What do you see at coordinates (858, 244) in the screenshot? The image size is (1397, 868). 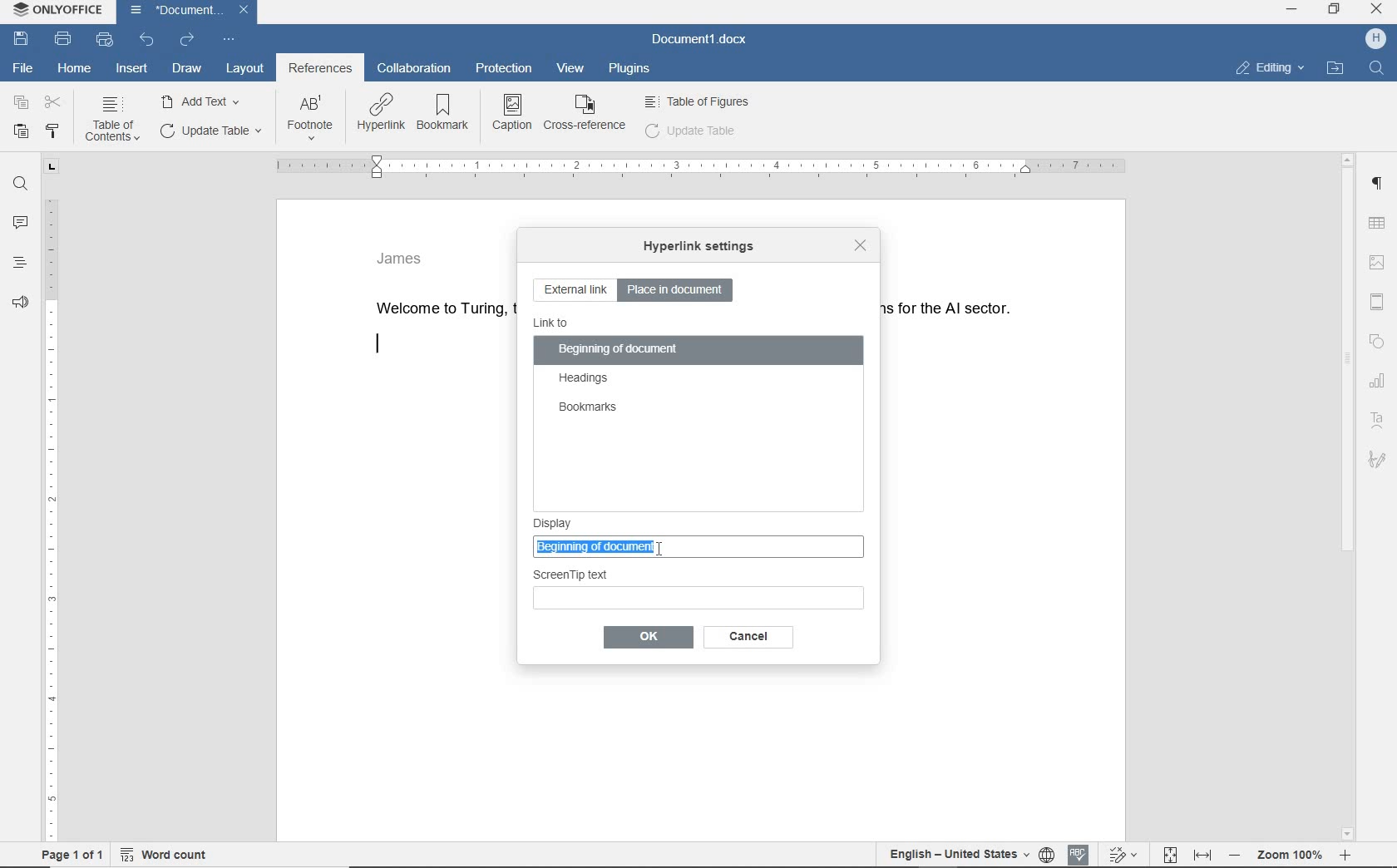 I see `close` at bounding box center [858, 244].